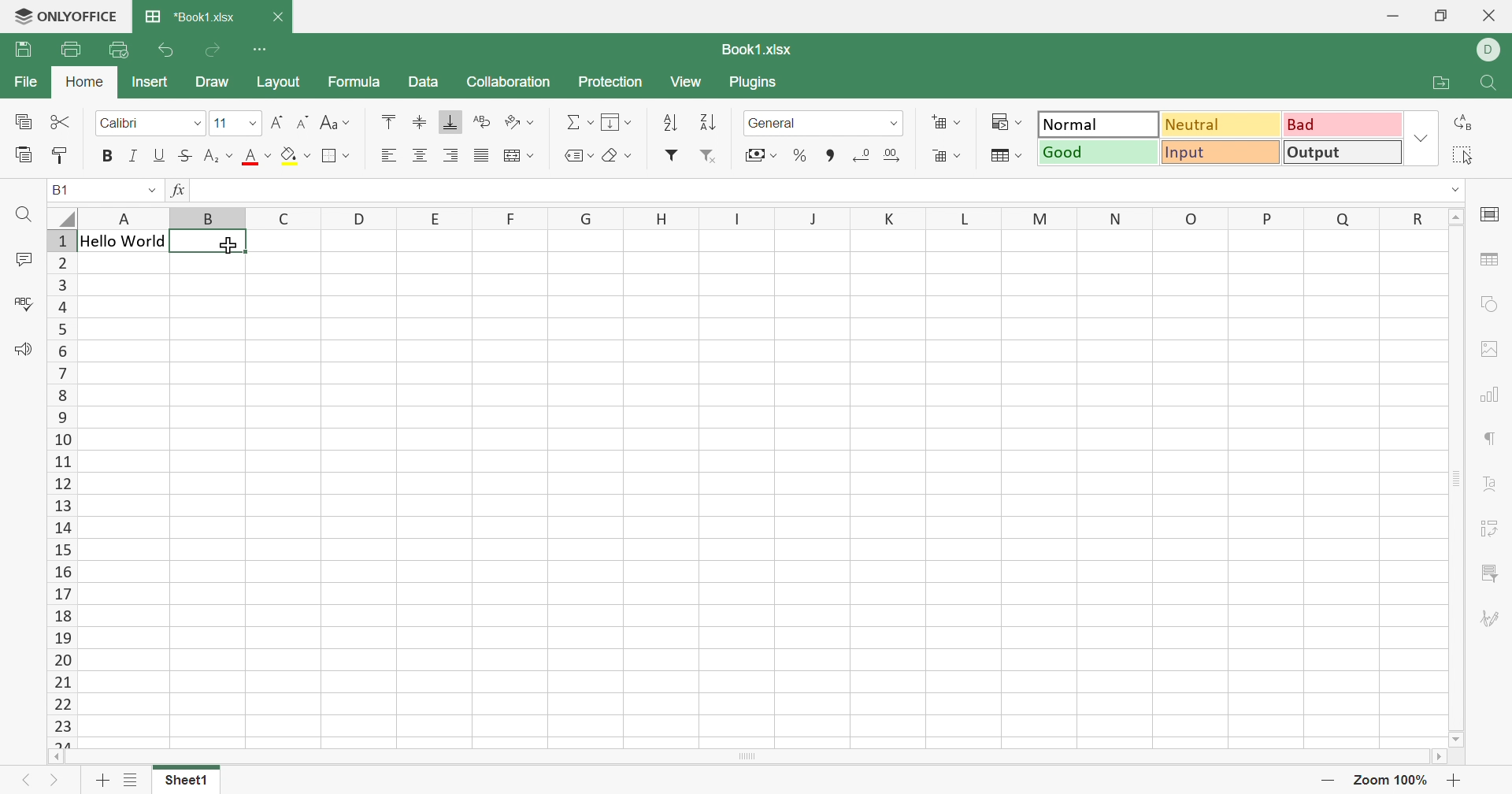  I want to click on Align bottom, so click(451, 121).